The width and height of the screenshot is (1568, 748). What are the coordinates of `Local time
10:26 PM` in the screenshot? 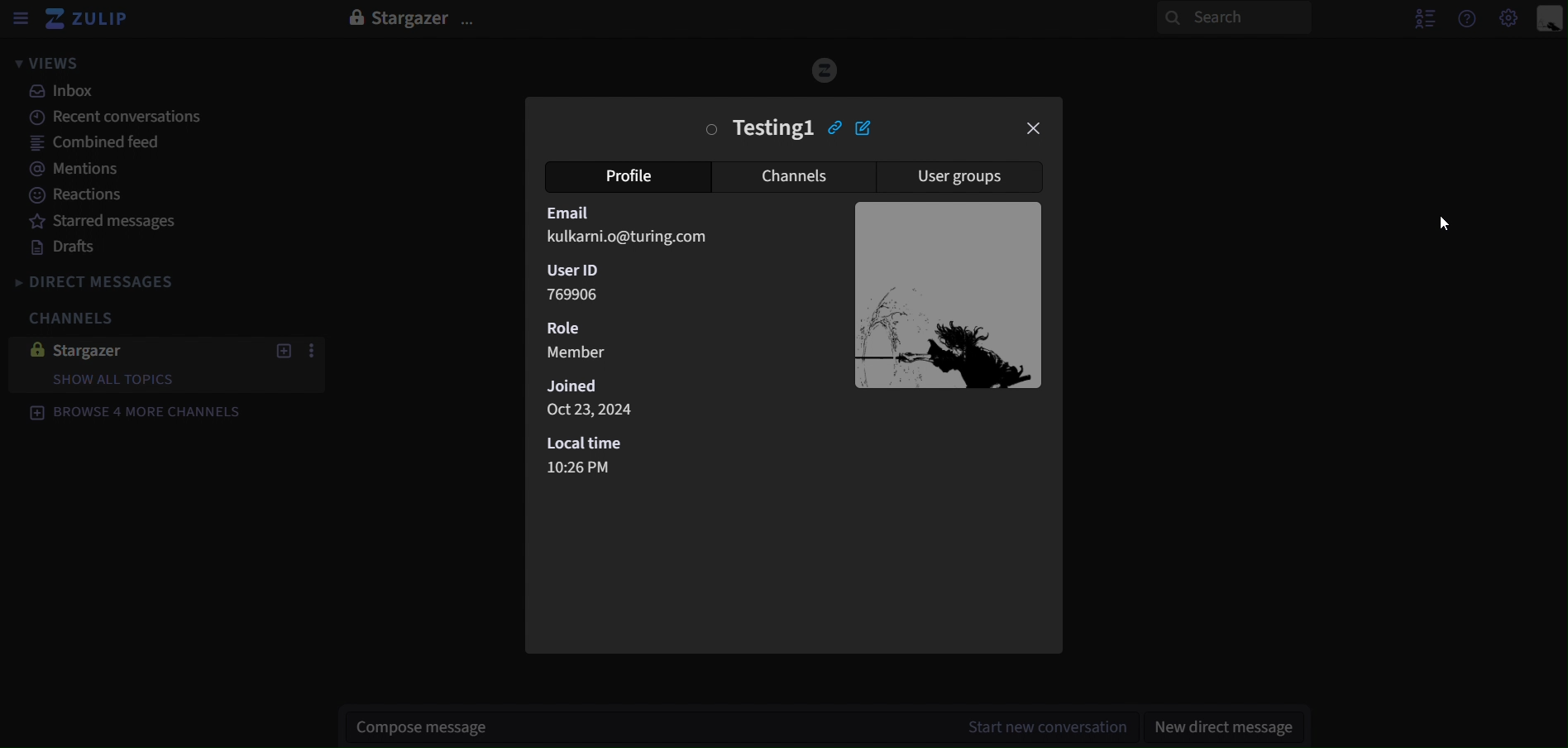 It's located at (583, 458).